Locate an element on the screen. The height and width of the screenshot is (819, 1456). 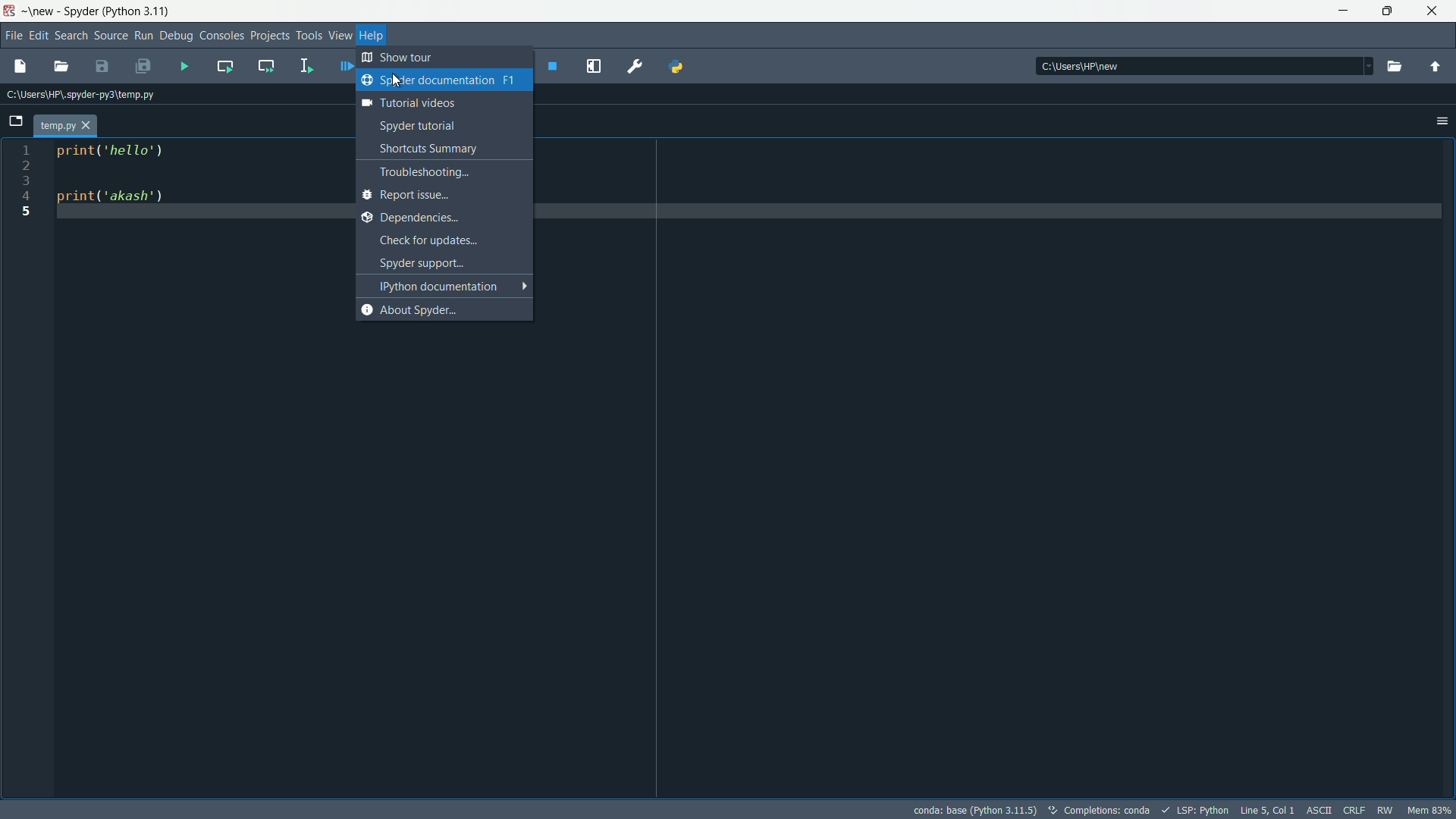
app icon is located at coordinates (11, 11).